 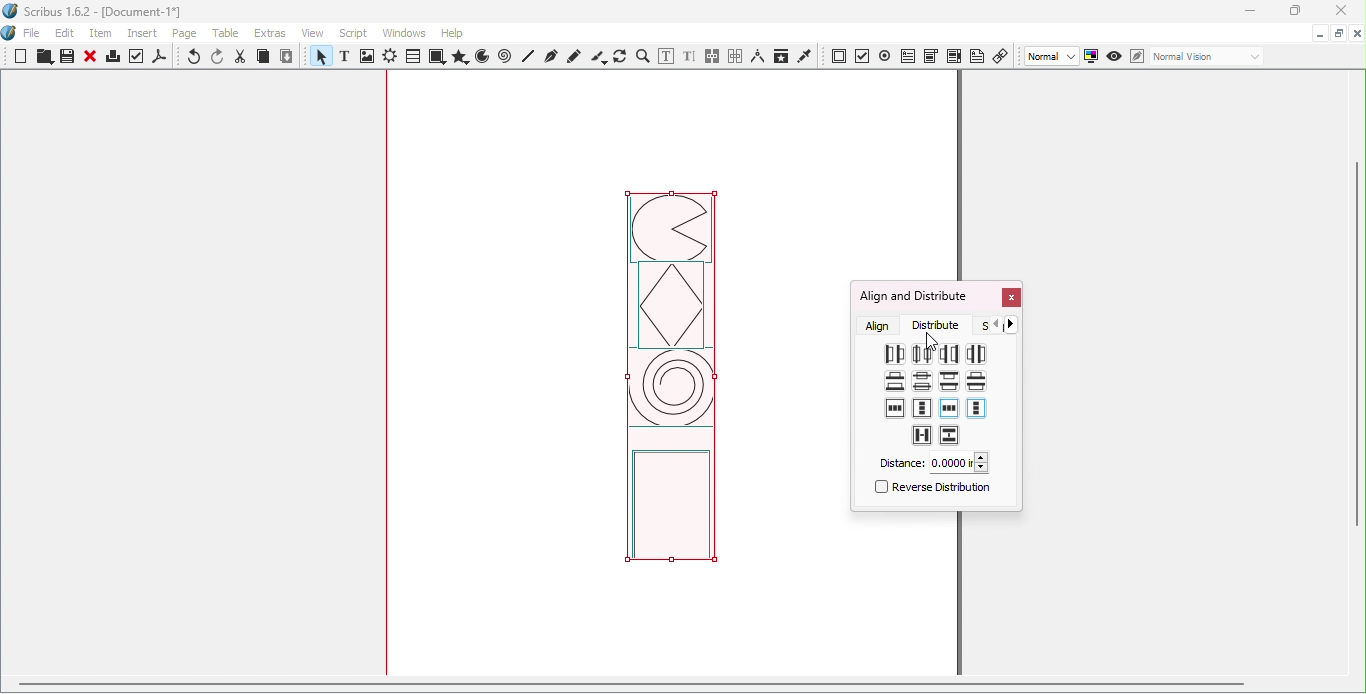 I want to click on Select the visual appearance of the display, so click(x=1206, y=57).